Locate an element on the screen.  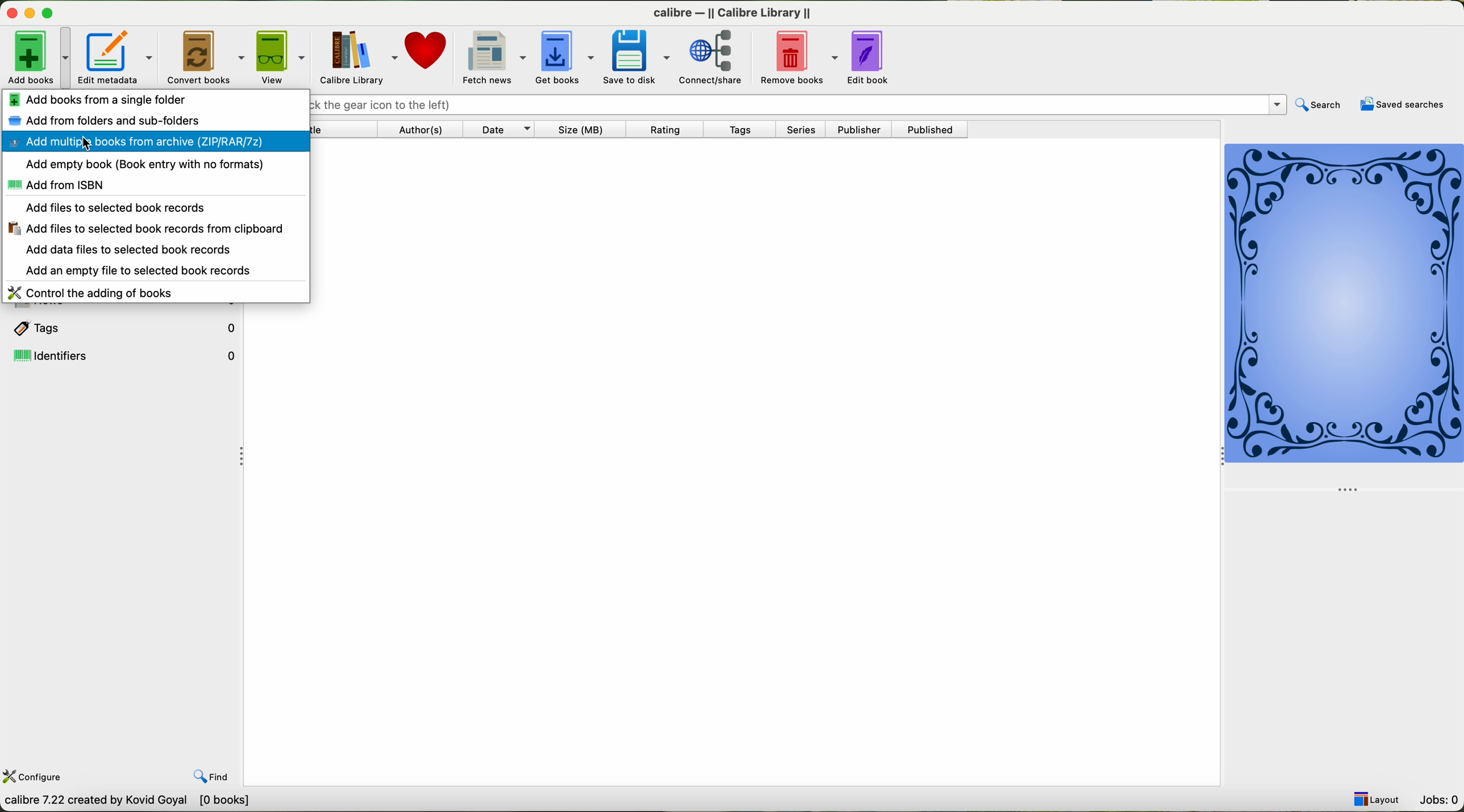
control to adding of books is located at coordinates (93, 292).